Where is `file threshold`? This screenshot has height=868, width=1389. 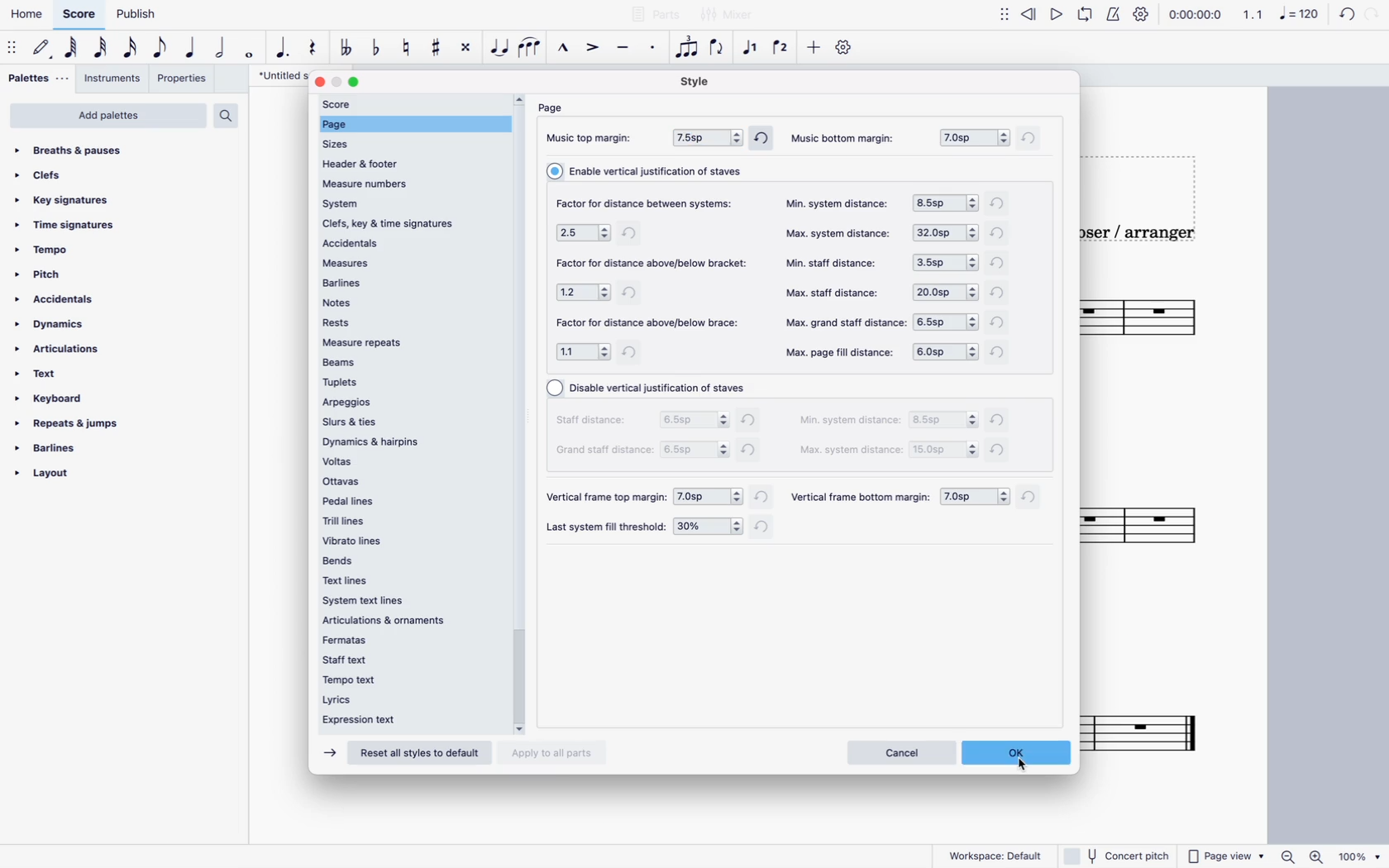
file threshold is located at coordinates (606, 527).